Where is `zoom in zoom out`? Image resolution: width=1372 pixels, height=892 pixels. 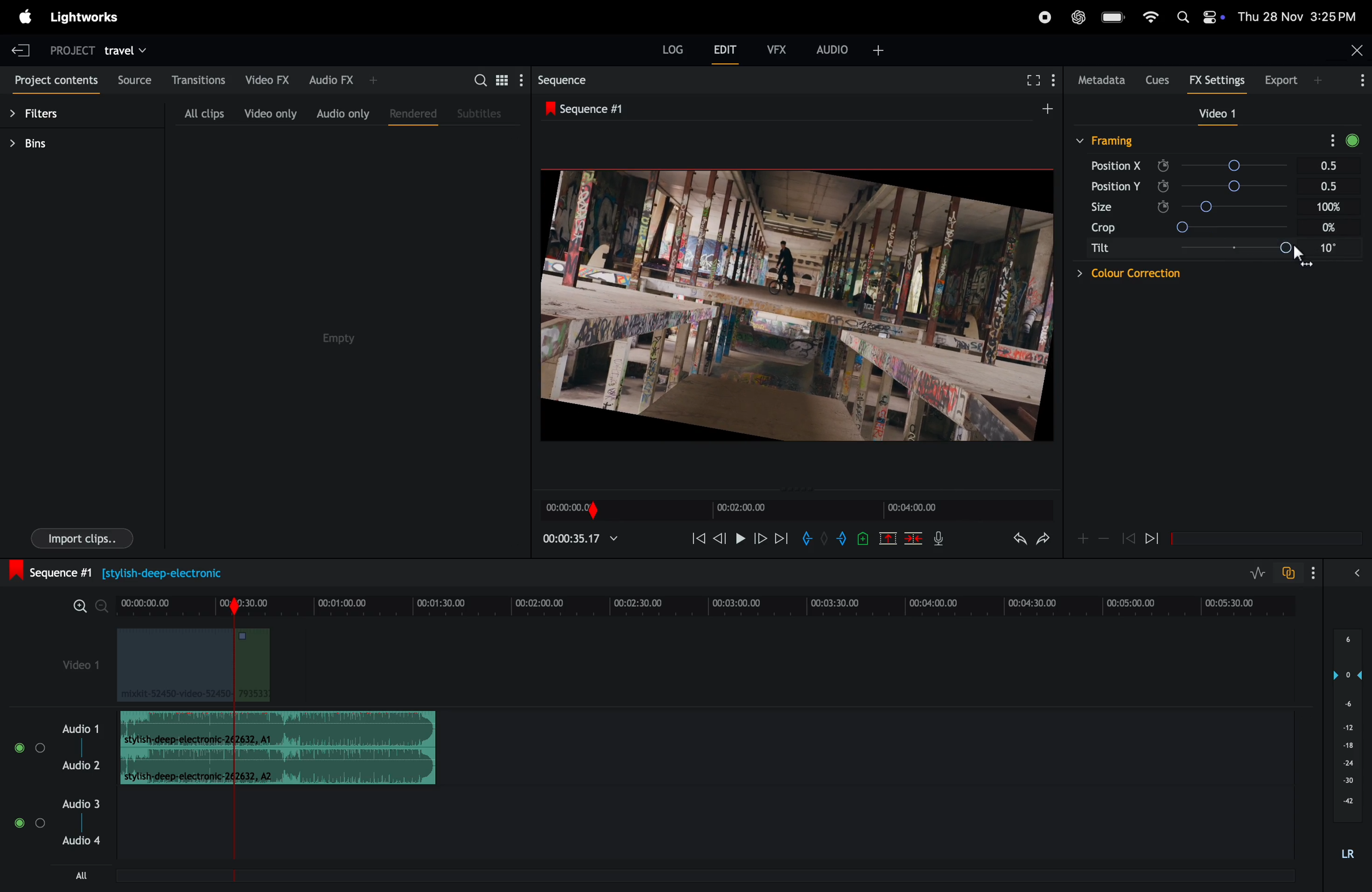 zoom in zoom out is located at coordinates (89, 607).